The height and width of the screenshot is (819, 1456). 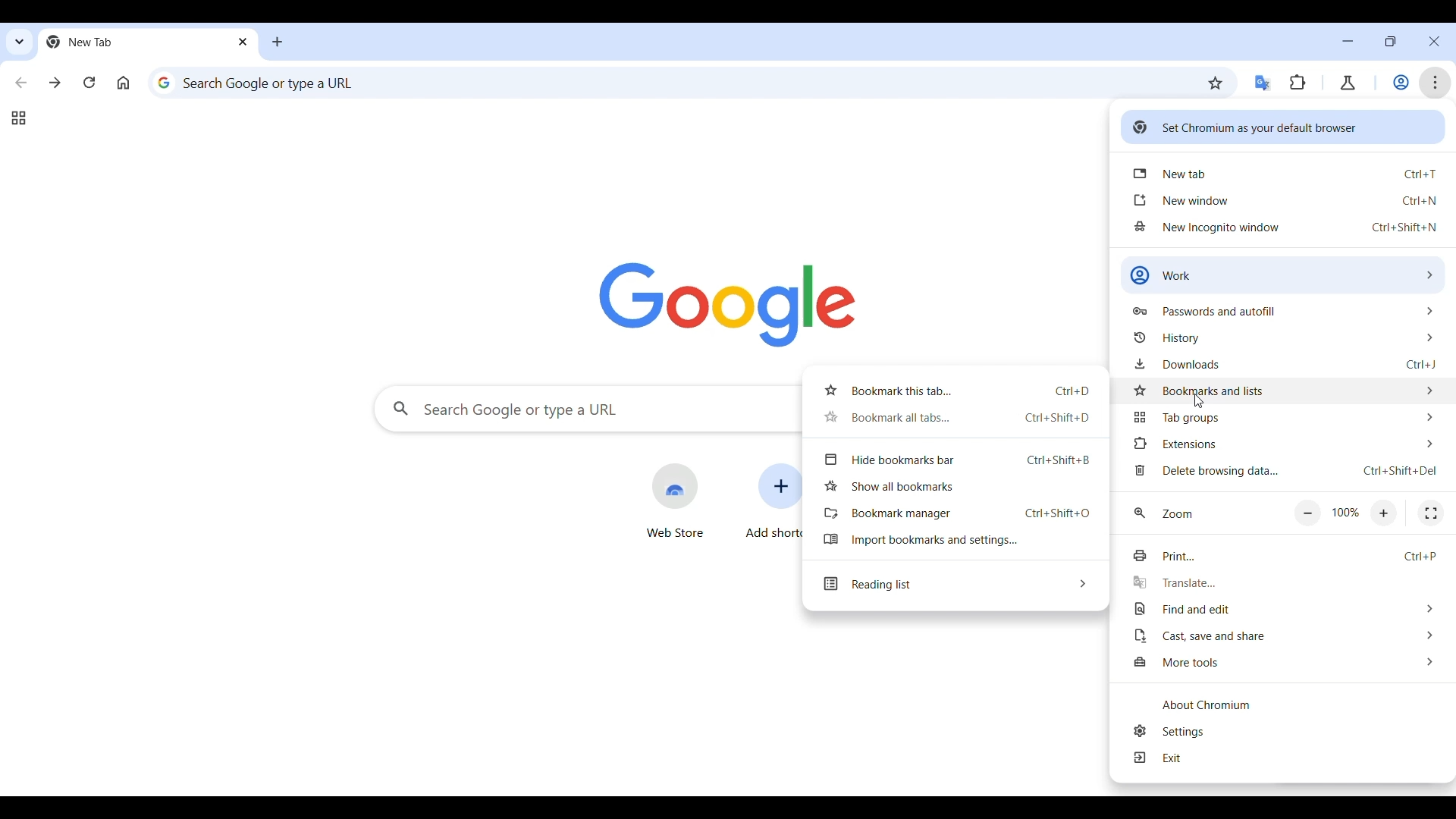 What do you see at coordinates (1307, 514) in the screenshot?
I see `Zoom out` at bounding box center [1307, 514].